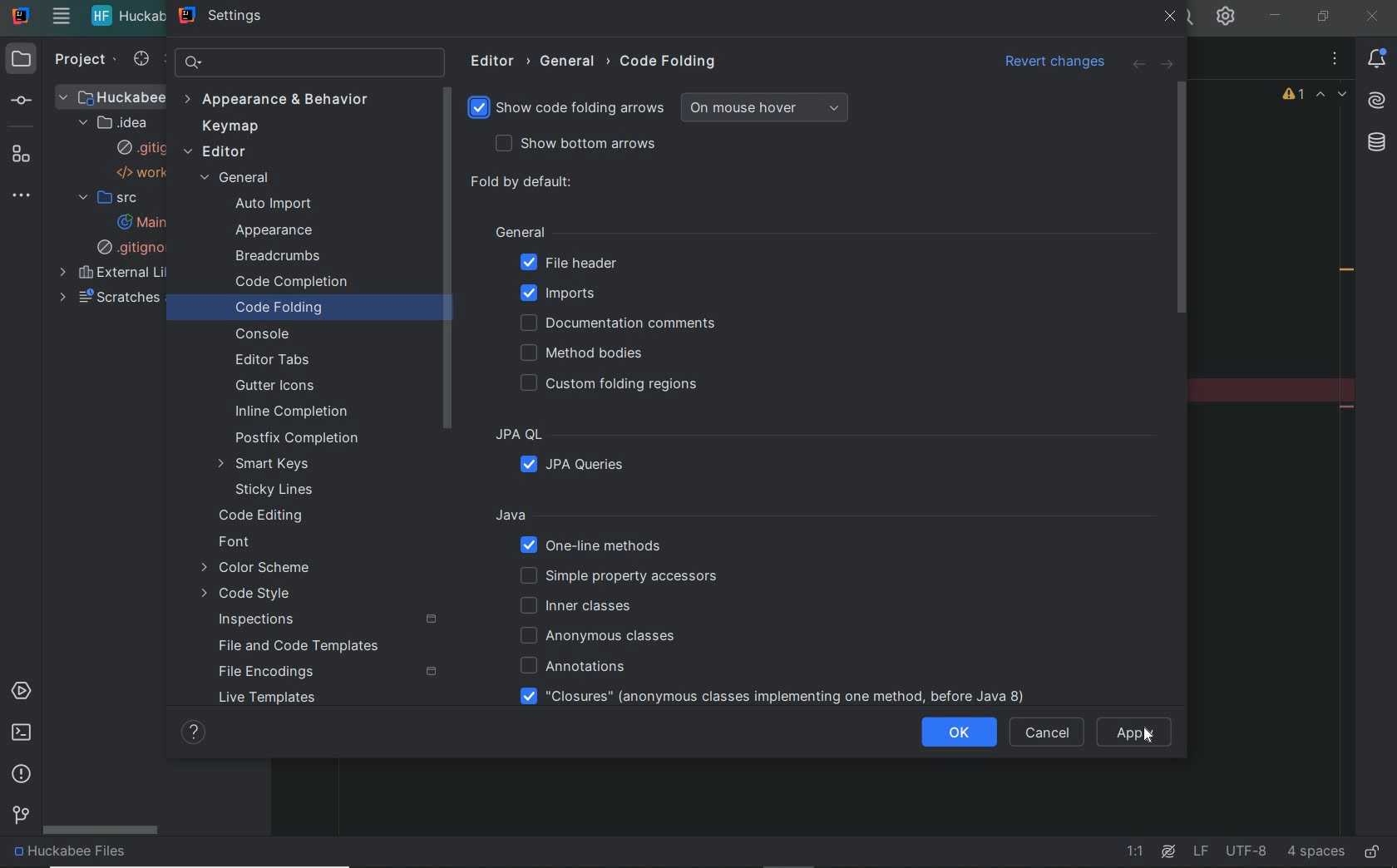  What do you see at coordinates (1138, 852) in the screenshot?
I see `go to line` at bounding box center [1138, 852].